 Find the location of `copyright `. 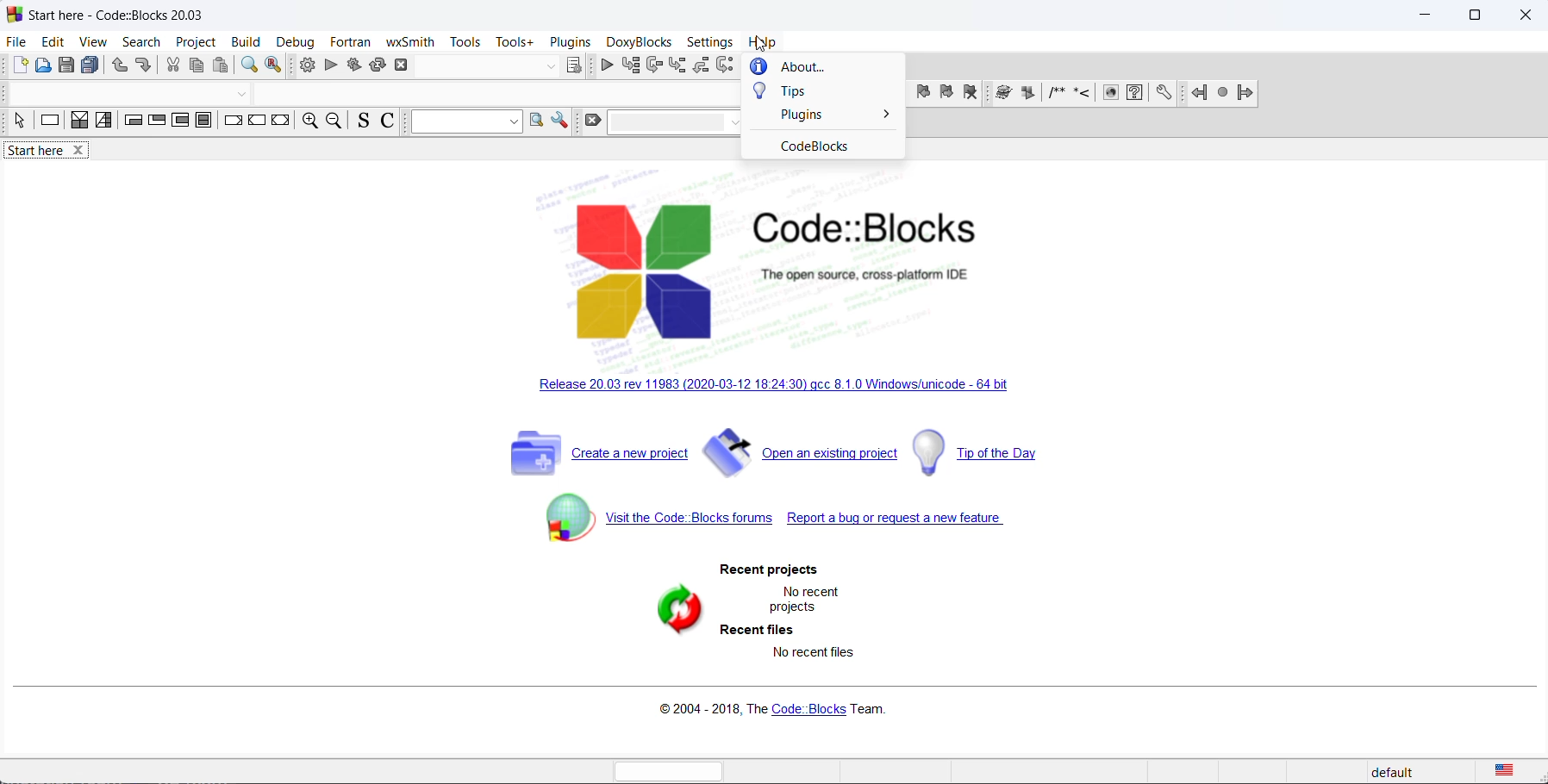

copyright  is located at coordinates (768, 707).